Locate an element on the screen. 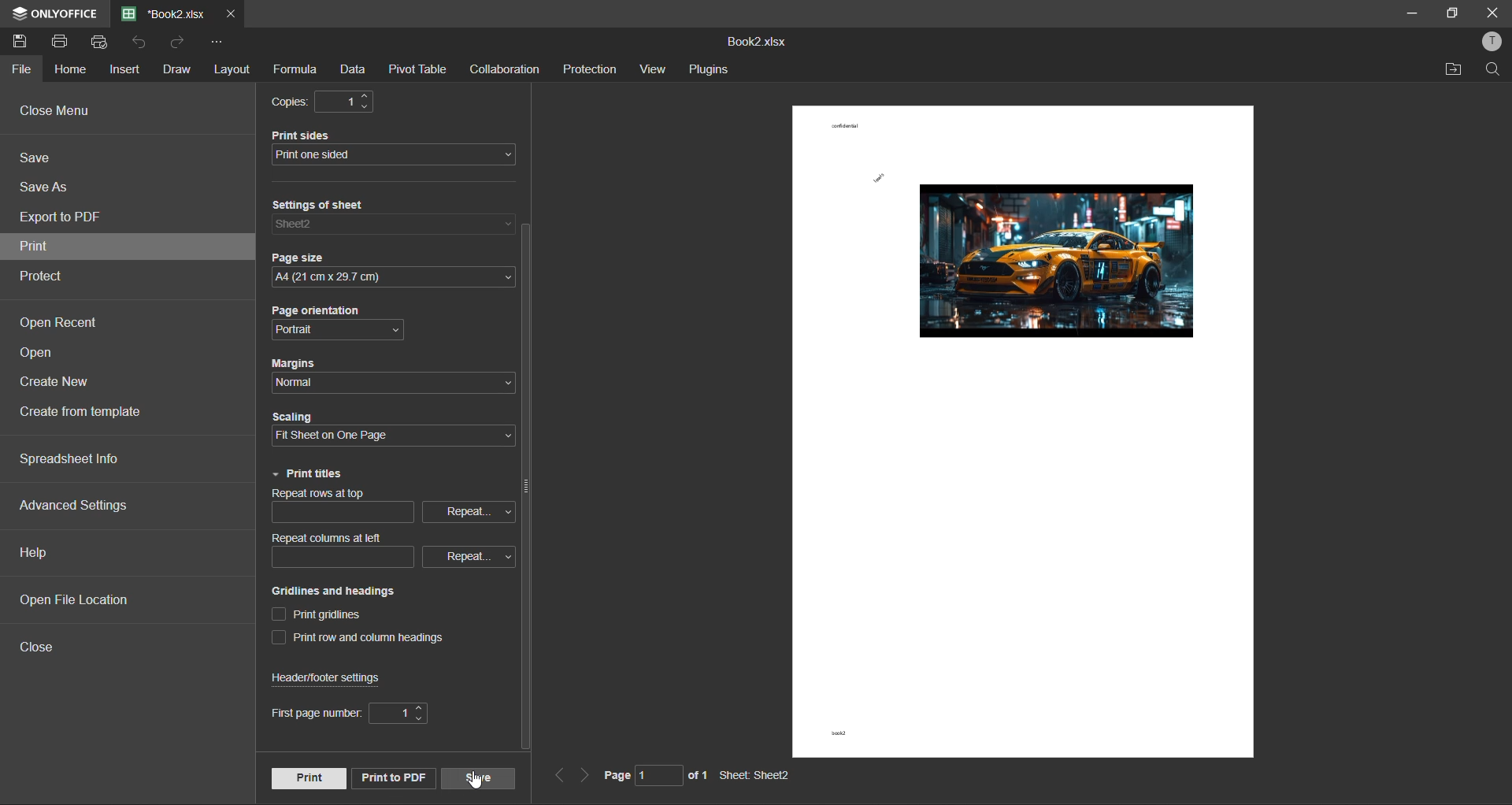 This screenshot has height=805, width=1512. first page number is located at coordinates (351, 711).